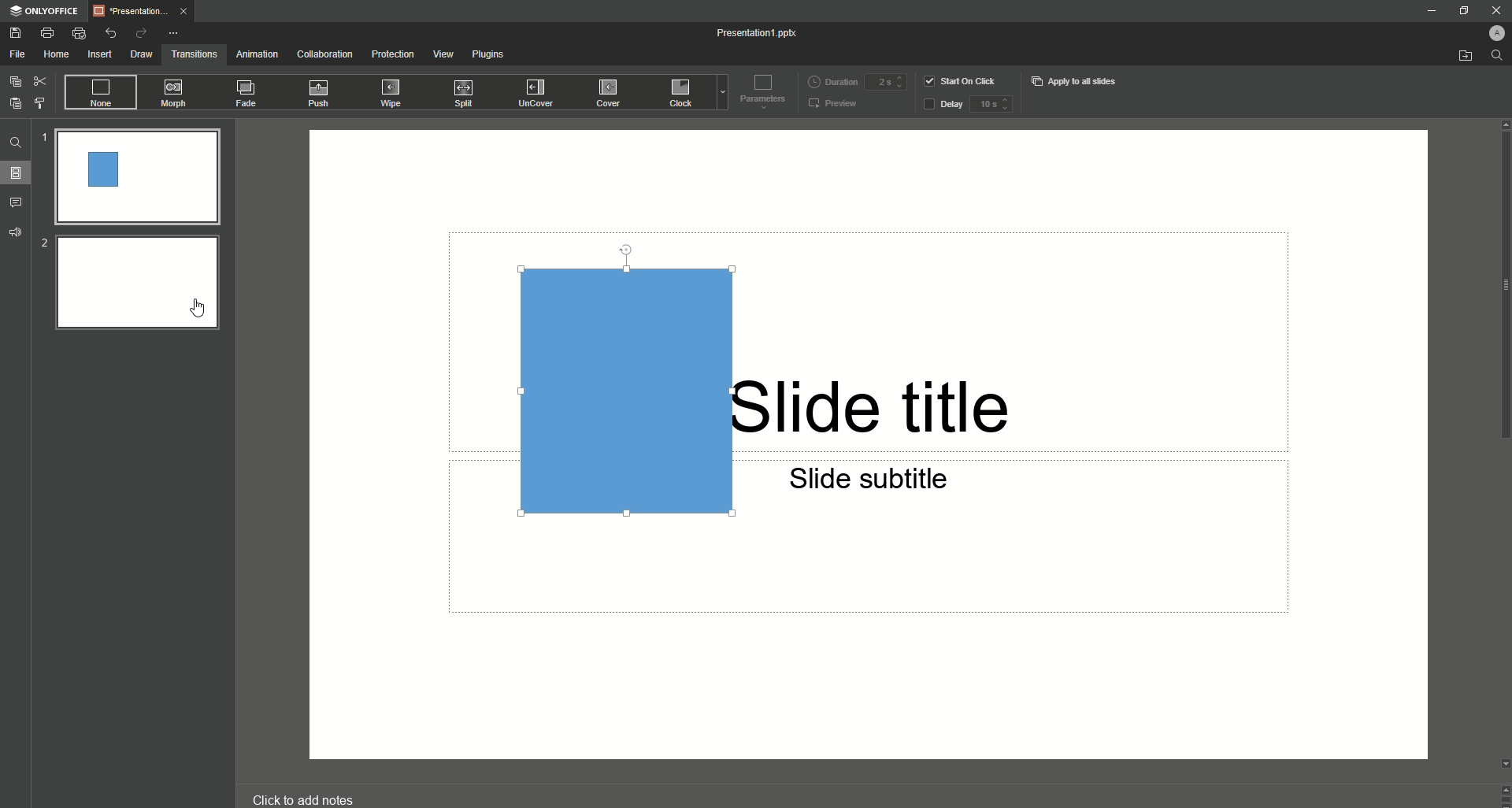 The width and height of the screenshot is (1512, 808). I want to click on Slide title, so click(877, 405).